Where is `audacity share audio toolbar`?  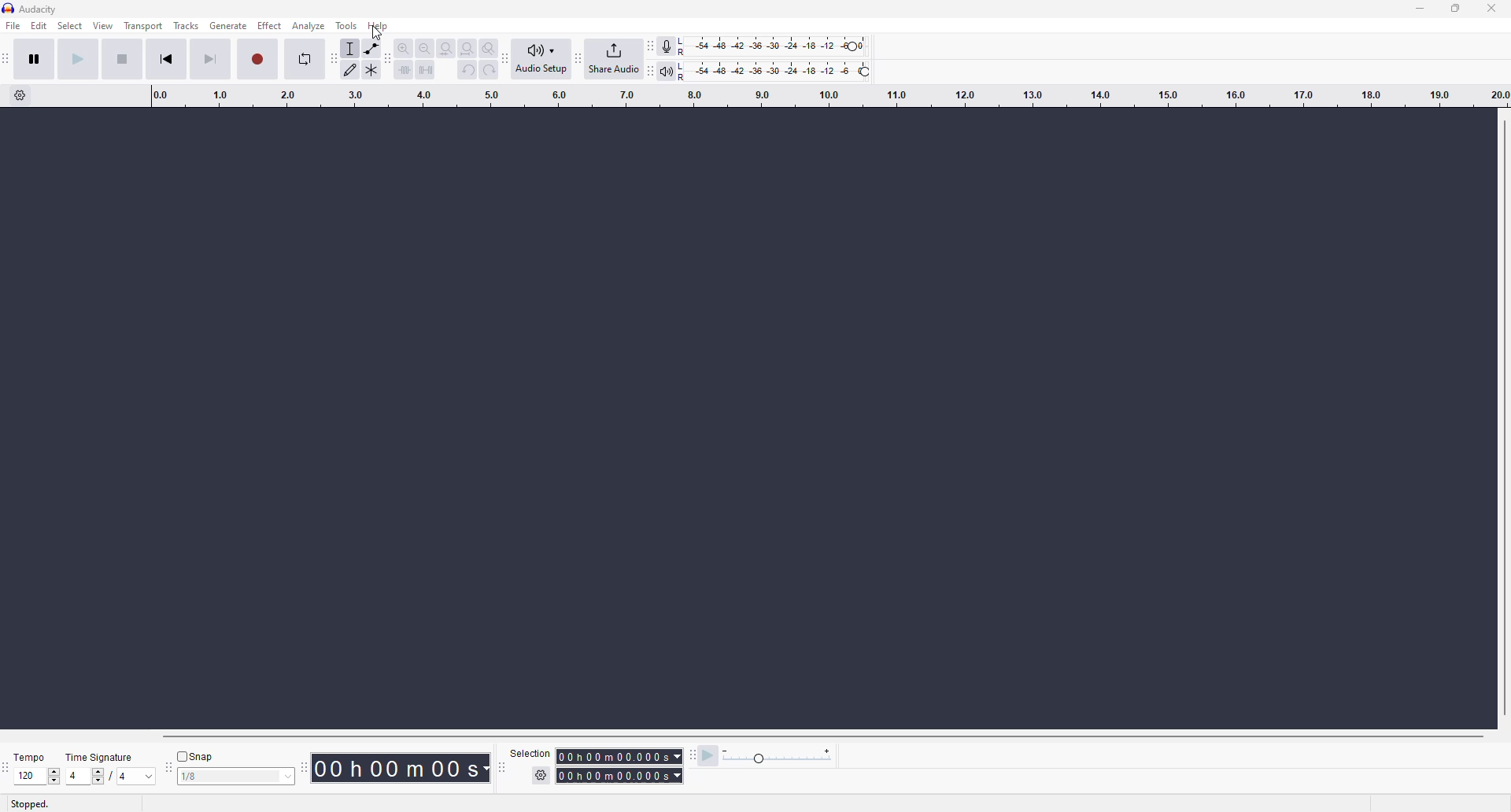 audacity share audio toolbar is located at coordinates (578, 55).